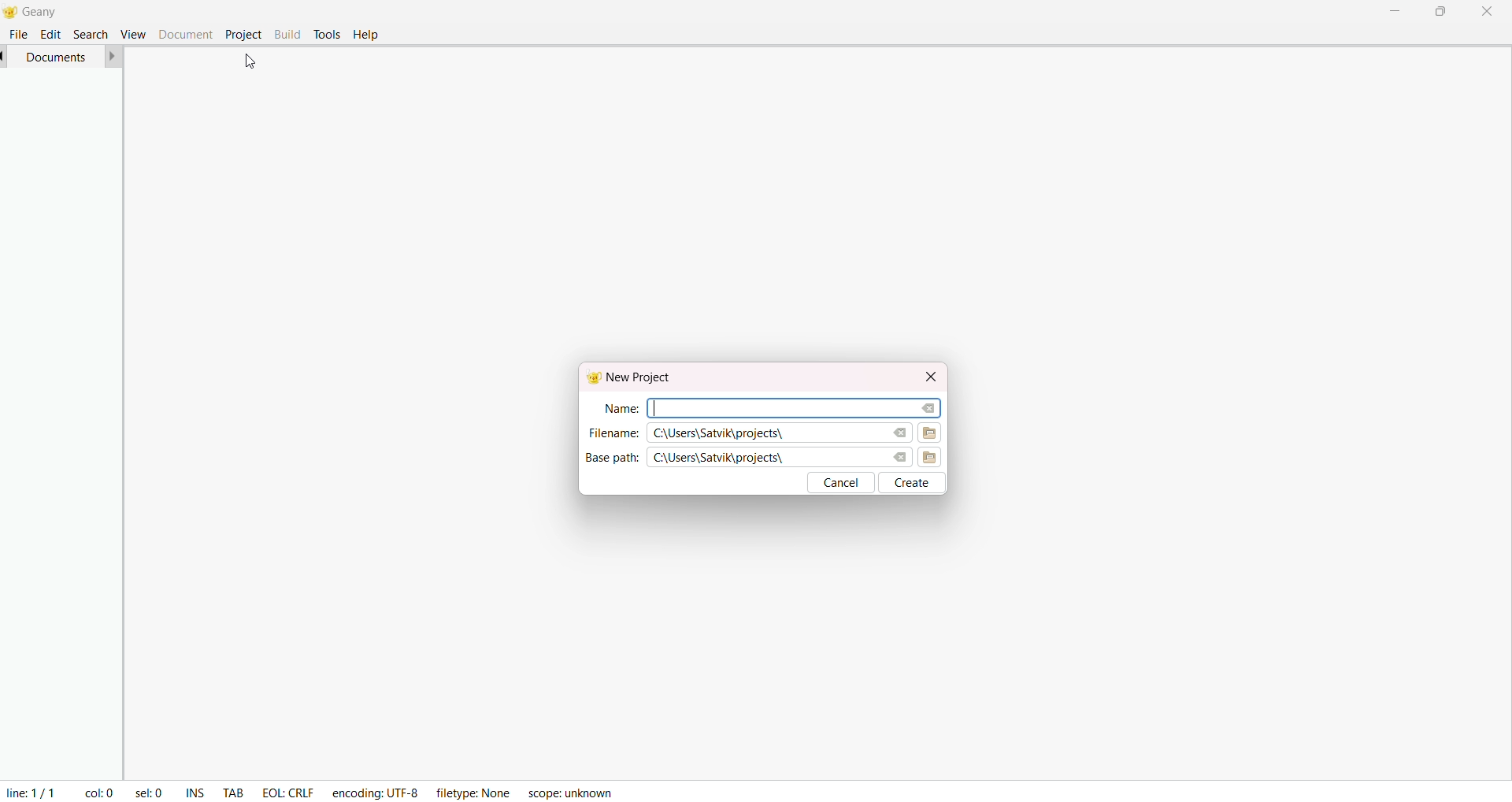 The image size is (1512, 802). What do you see at coordinates (659, 407) in the screenshot?
I see `typing cursor` at bounding box center [659, 407].